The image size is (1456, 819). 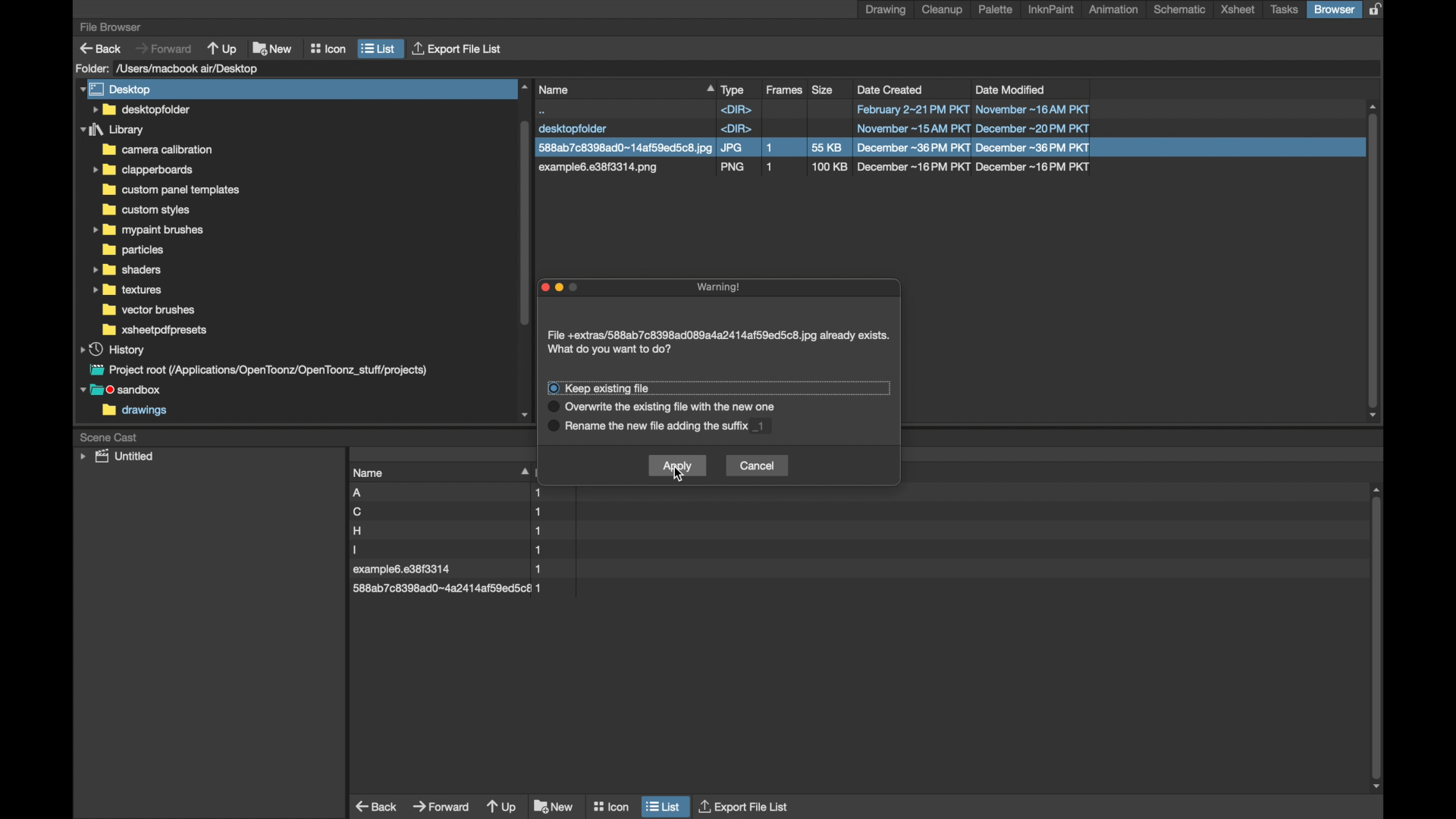 I want to click on palette, so click(x=996, y=9).